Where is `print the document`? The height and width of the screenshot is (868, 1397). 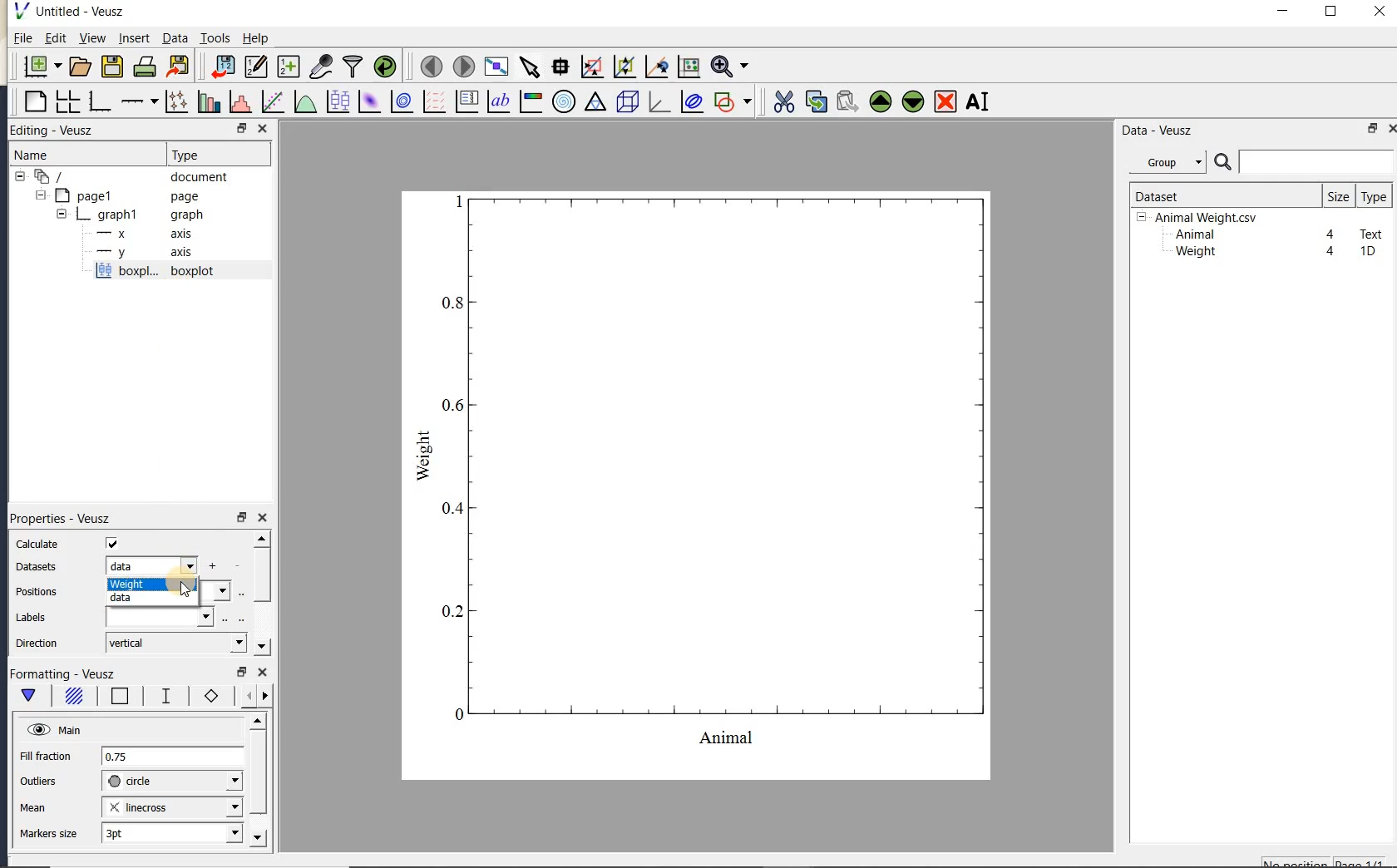
print the document is located at coordinates (145, 67).